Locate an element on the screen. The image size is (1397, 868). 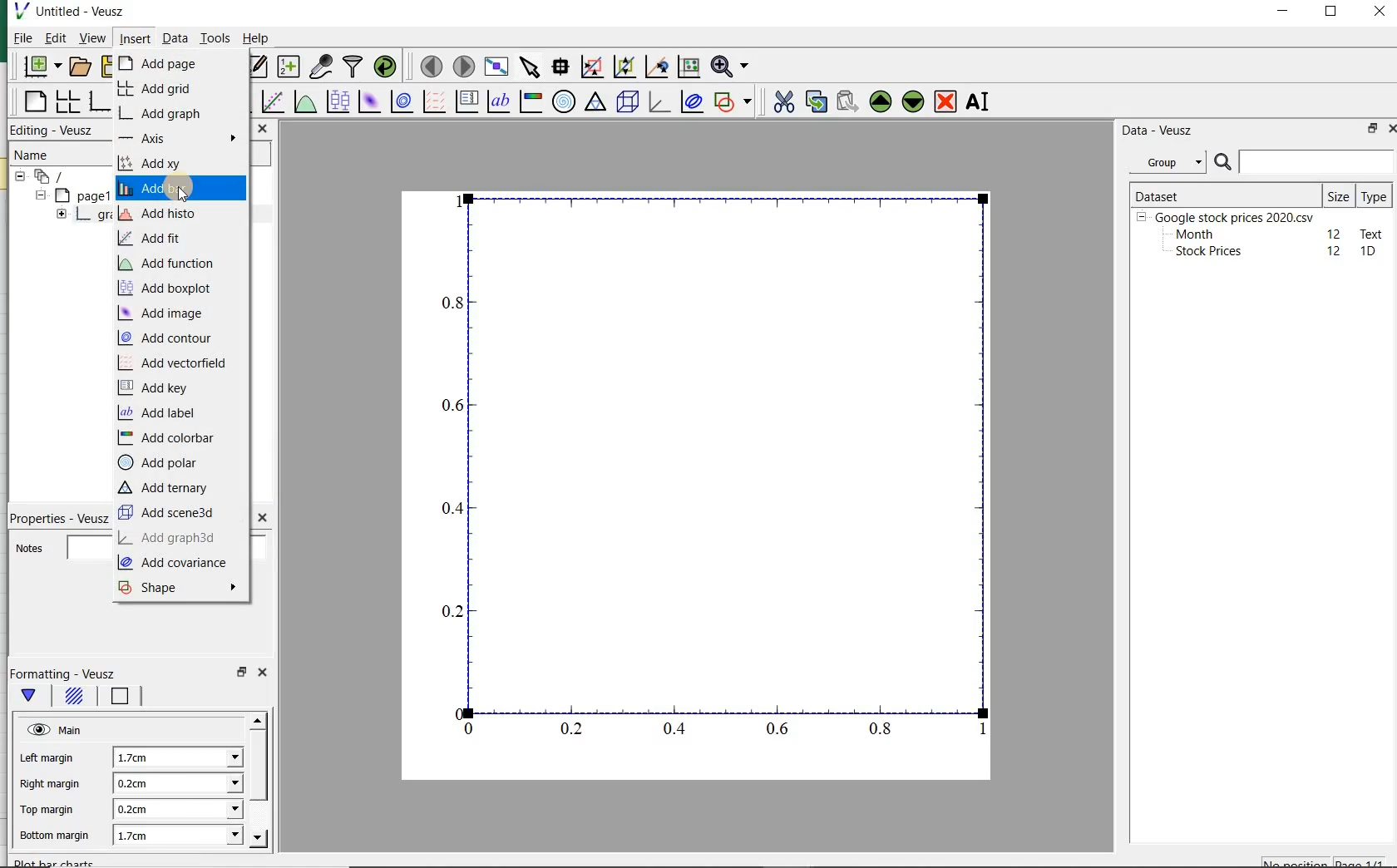
Main formatting is located at coordinates (32, 699).